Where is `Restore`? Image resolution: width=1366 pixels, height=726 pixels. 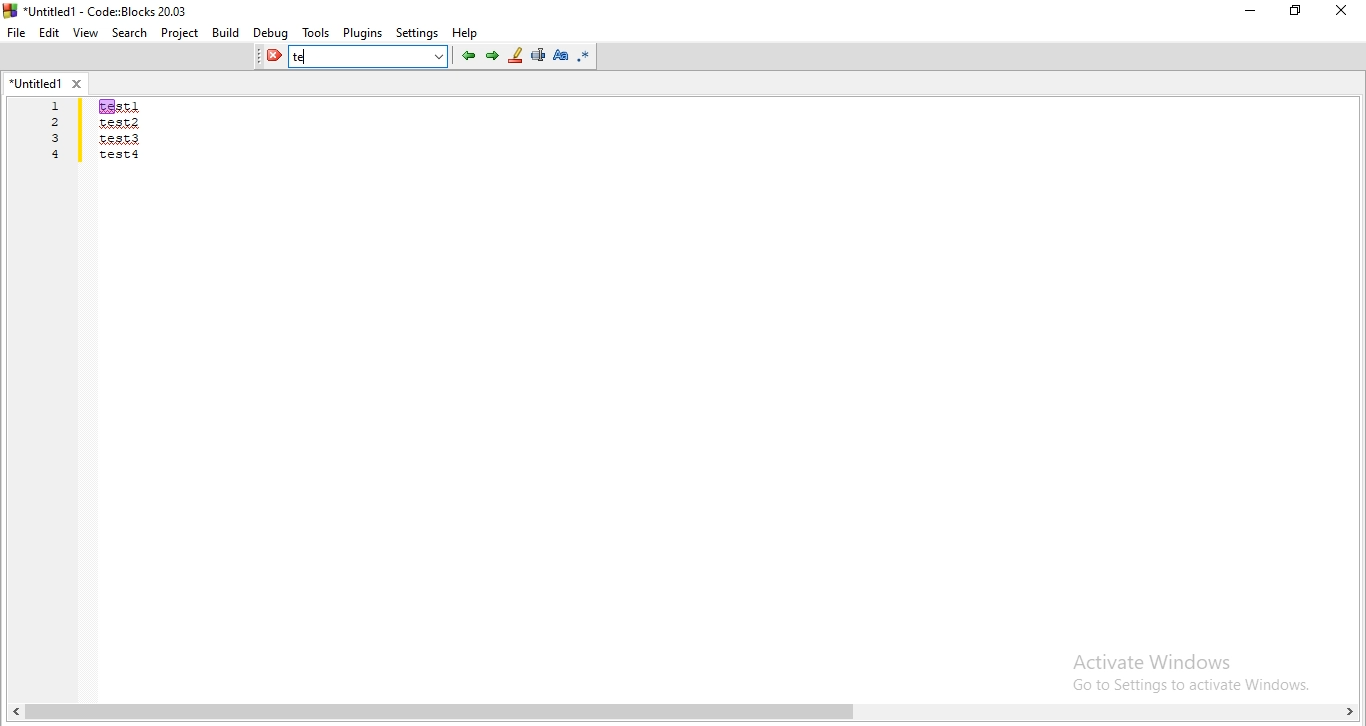
Restore is located at coordinates (1295, 13).